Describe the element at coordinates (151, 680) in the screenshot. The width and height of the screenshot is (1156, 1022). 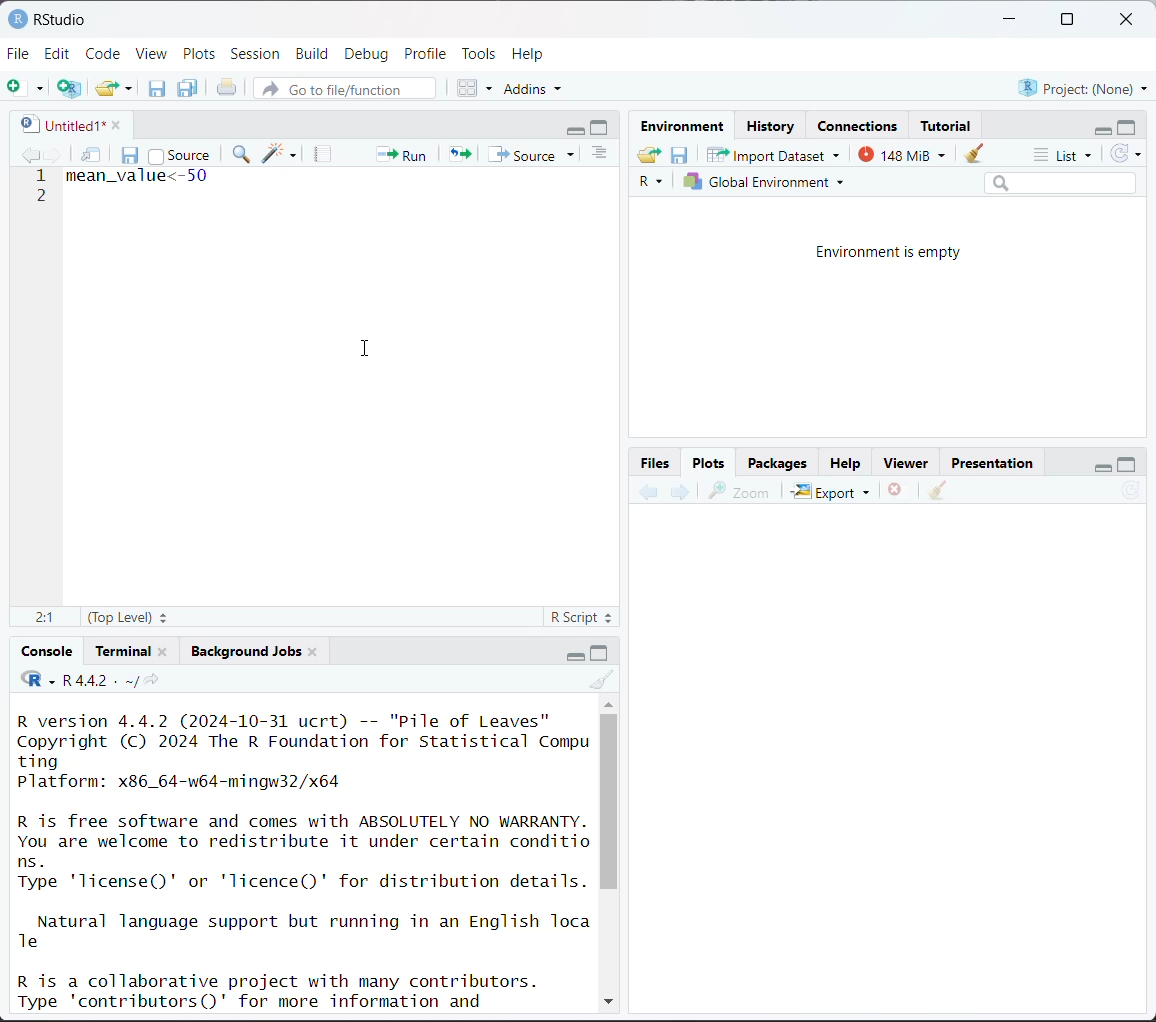
I see `view the current working directory` at that location.